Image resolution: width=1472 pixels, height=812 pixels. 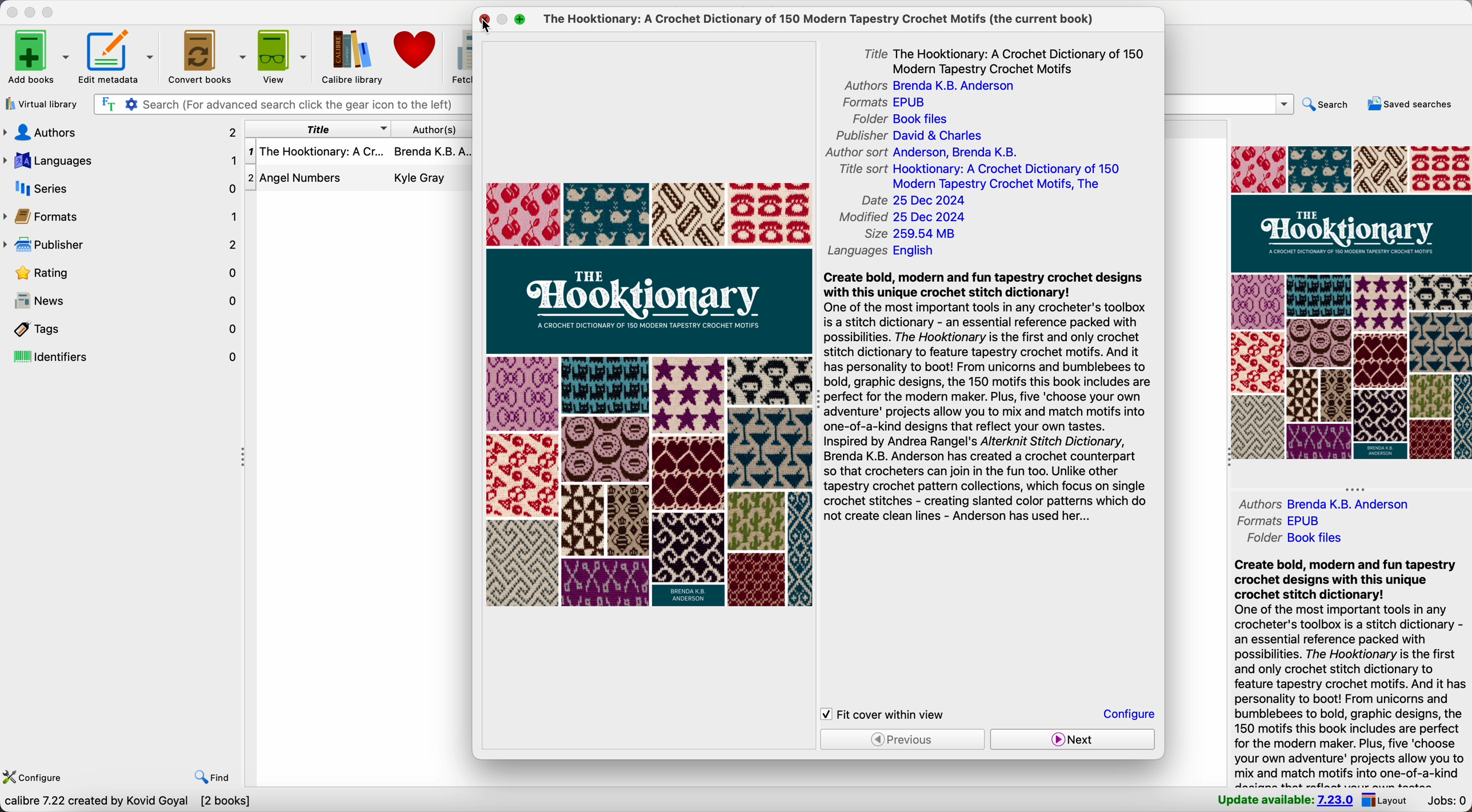 I want to click on synopsis, so click(x=1350, y=671).